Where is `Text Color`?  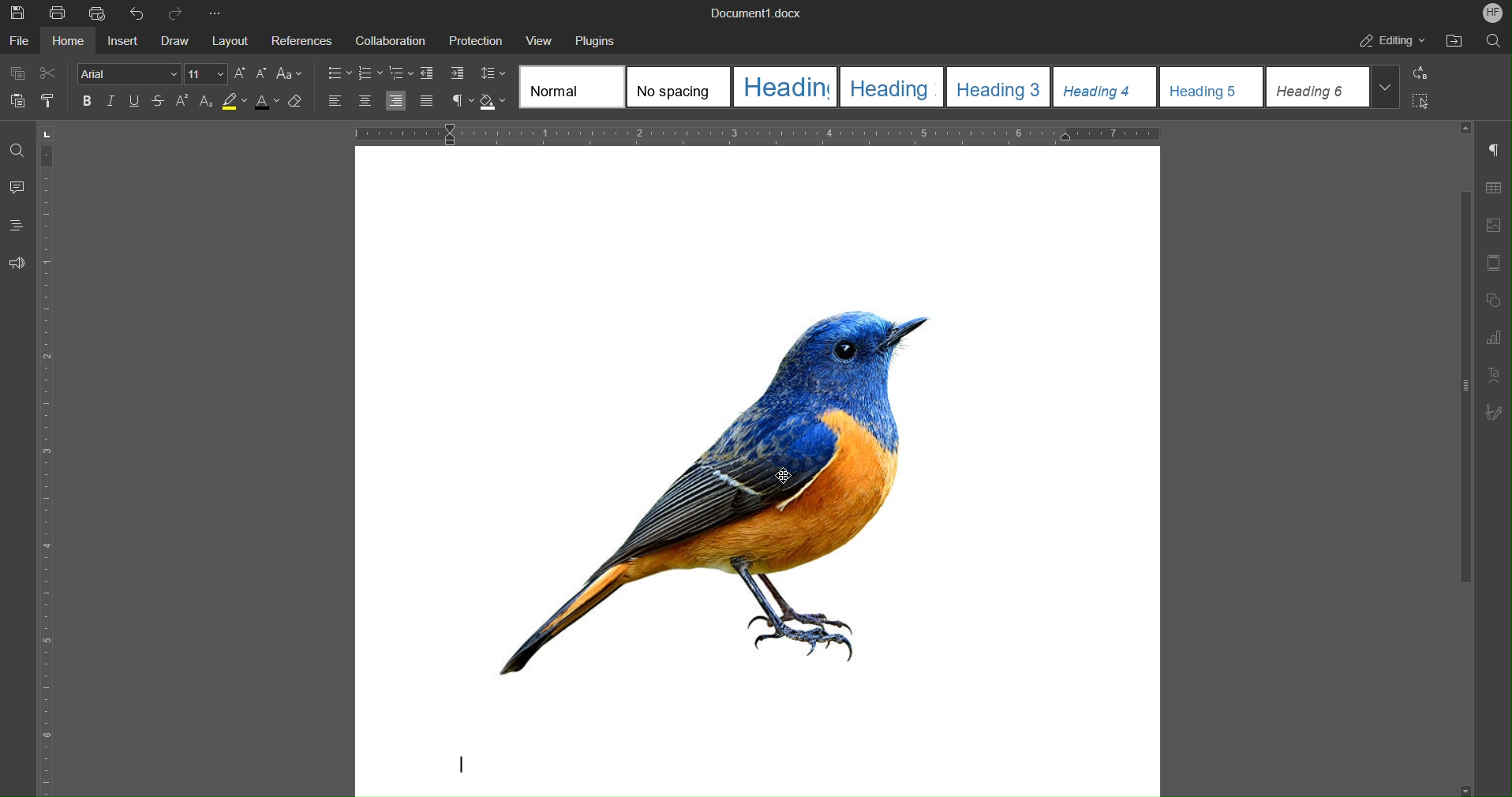
Text Color is located at coordinates (266, 103).